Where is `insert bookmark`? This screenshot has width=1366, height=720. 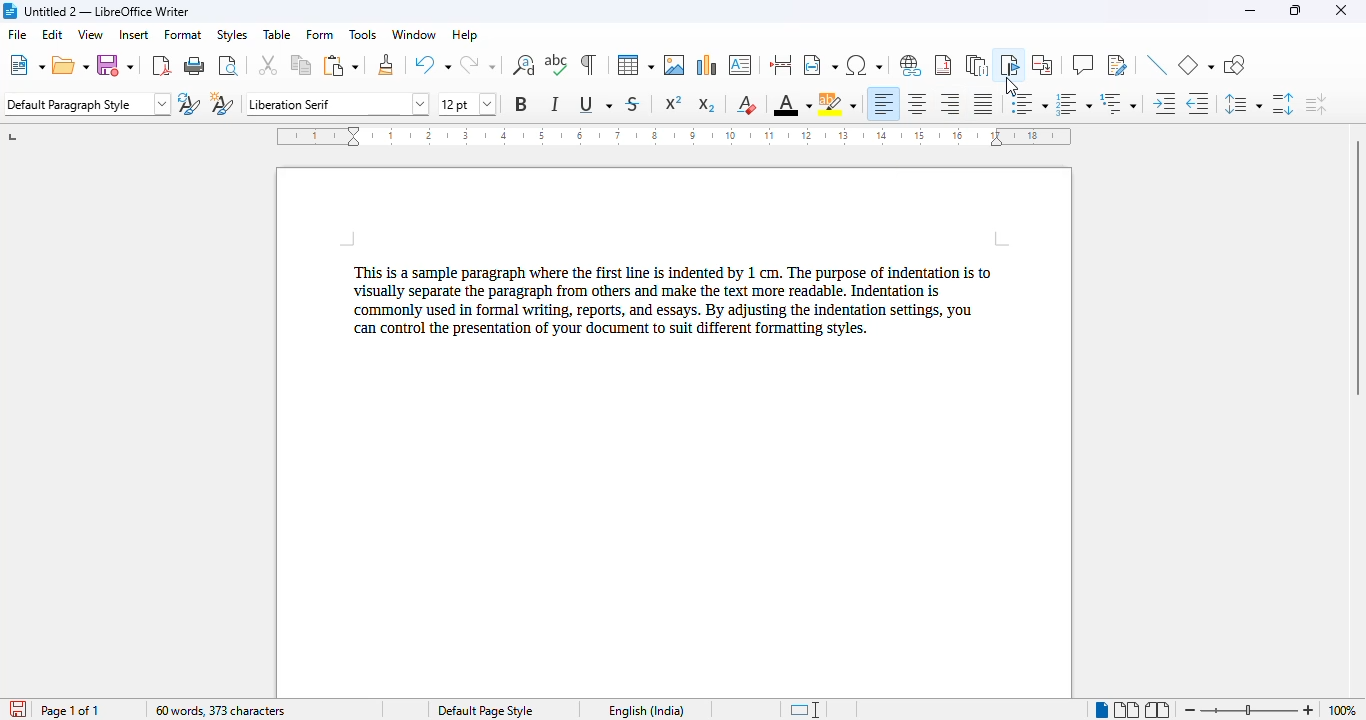
insert bookmark is located at coordinates (1009, 65).